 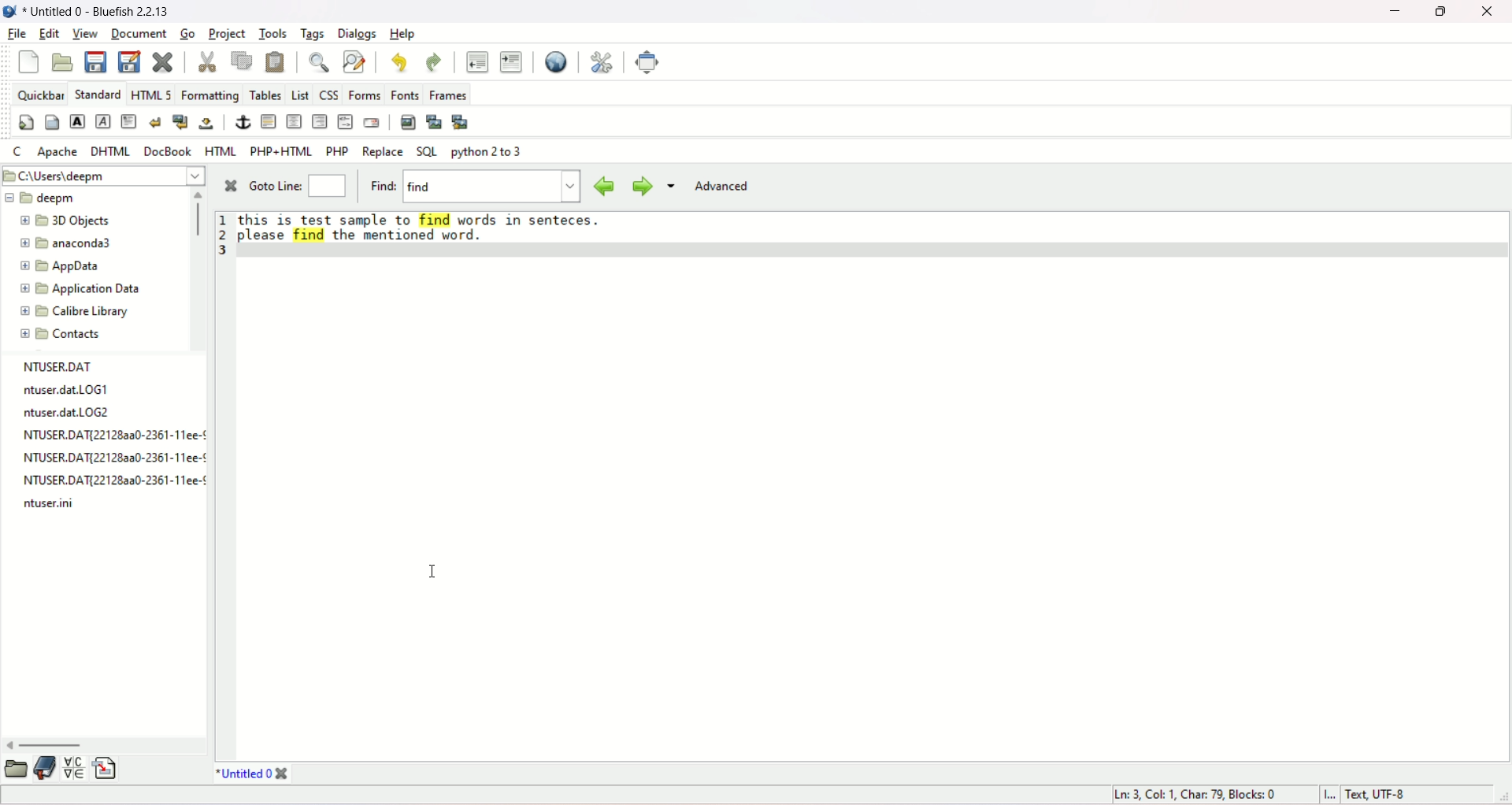 I want to click on HTML COMMENT, so click(x=343, y=123).